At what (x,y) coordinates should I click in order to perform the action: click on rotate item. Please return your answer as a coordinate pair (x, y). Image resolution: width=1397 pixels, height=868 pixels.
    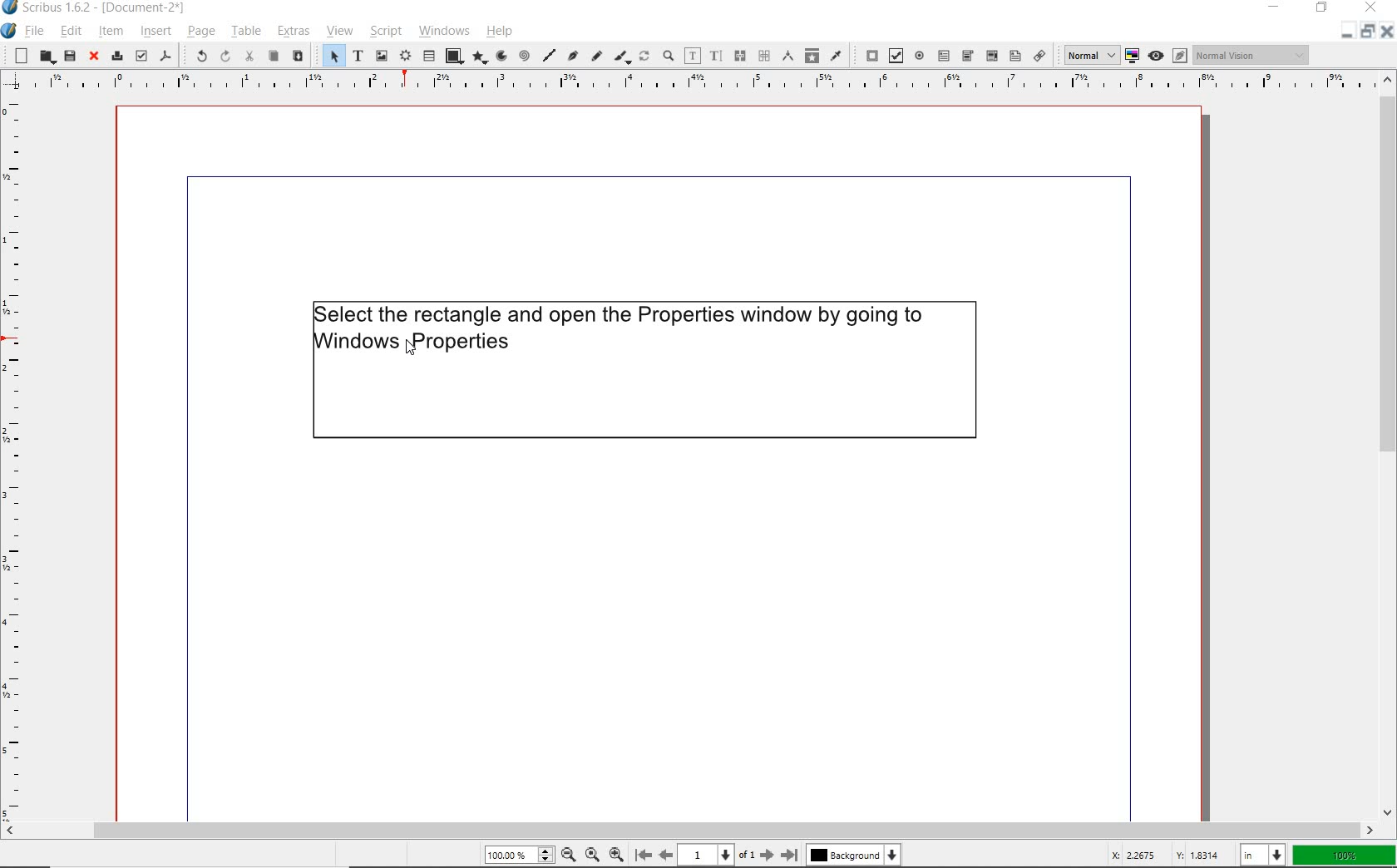
    Looking at the image, I should click on (644, 57).